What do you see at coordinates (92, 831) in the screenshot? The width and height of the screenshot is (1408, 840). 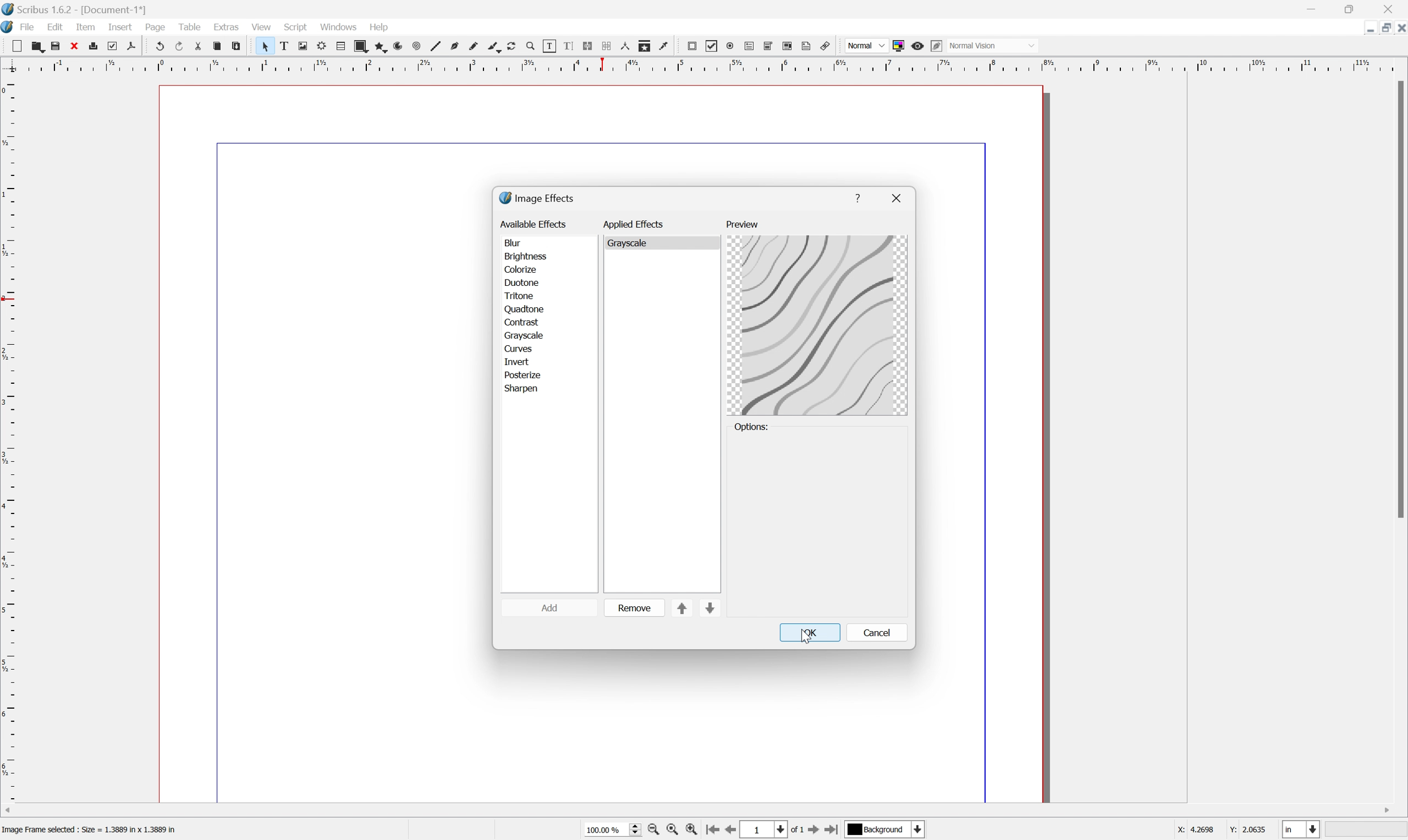 I see `Image frame selected : Size = 1.3889 in × 1.3889 in` at bounding box center [92, 831].